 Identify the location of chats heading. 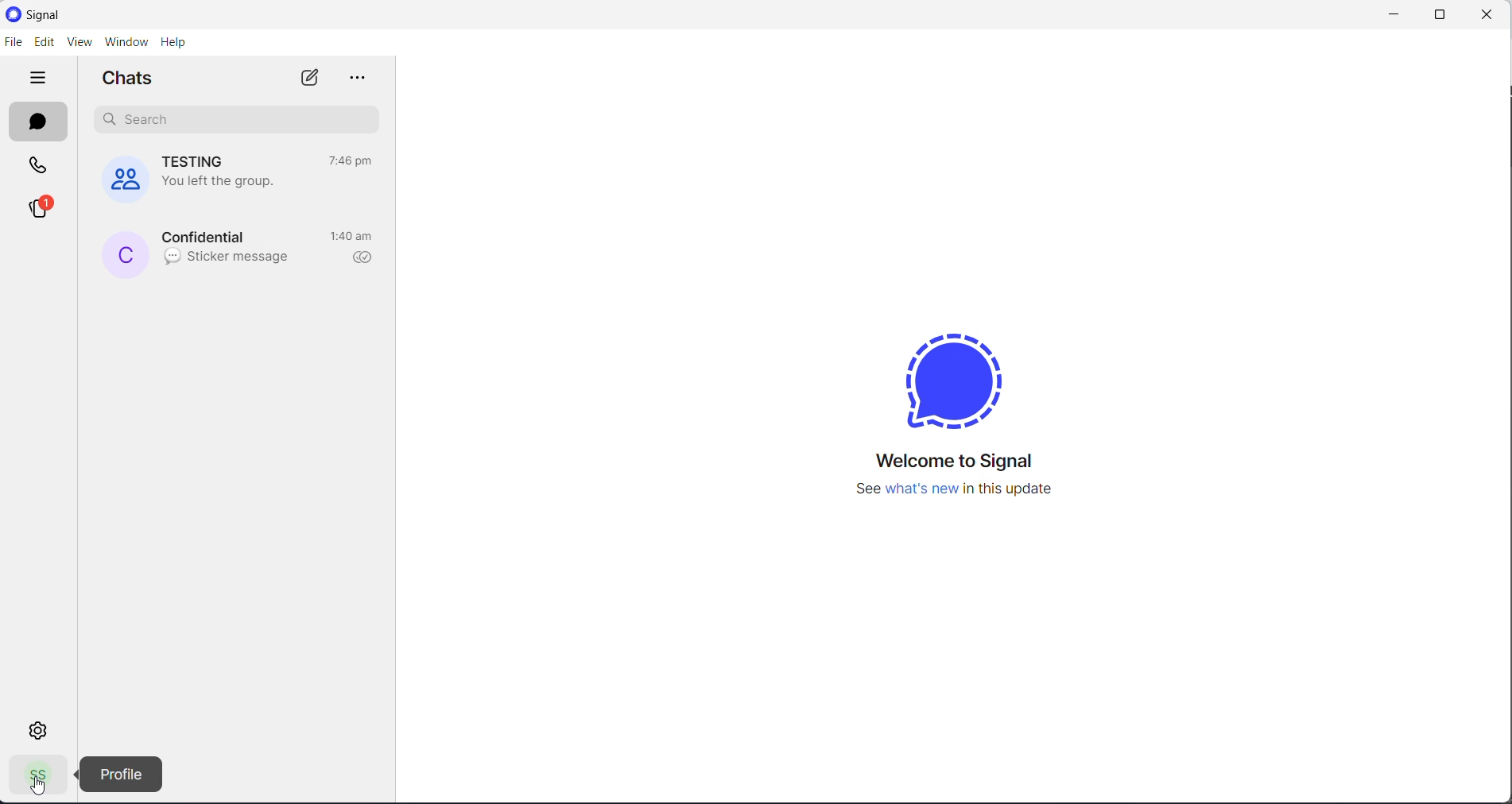
(133, 79).